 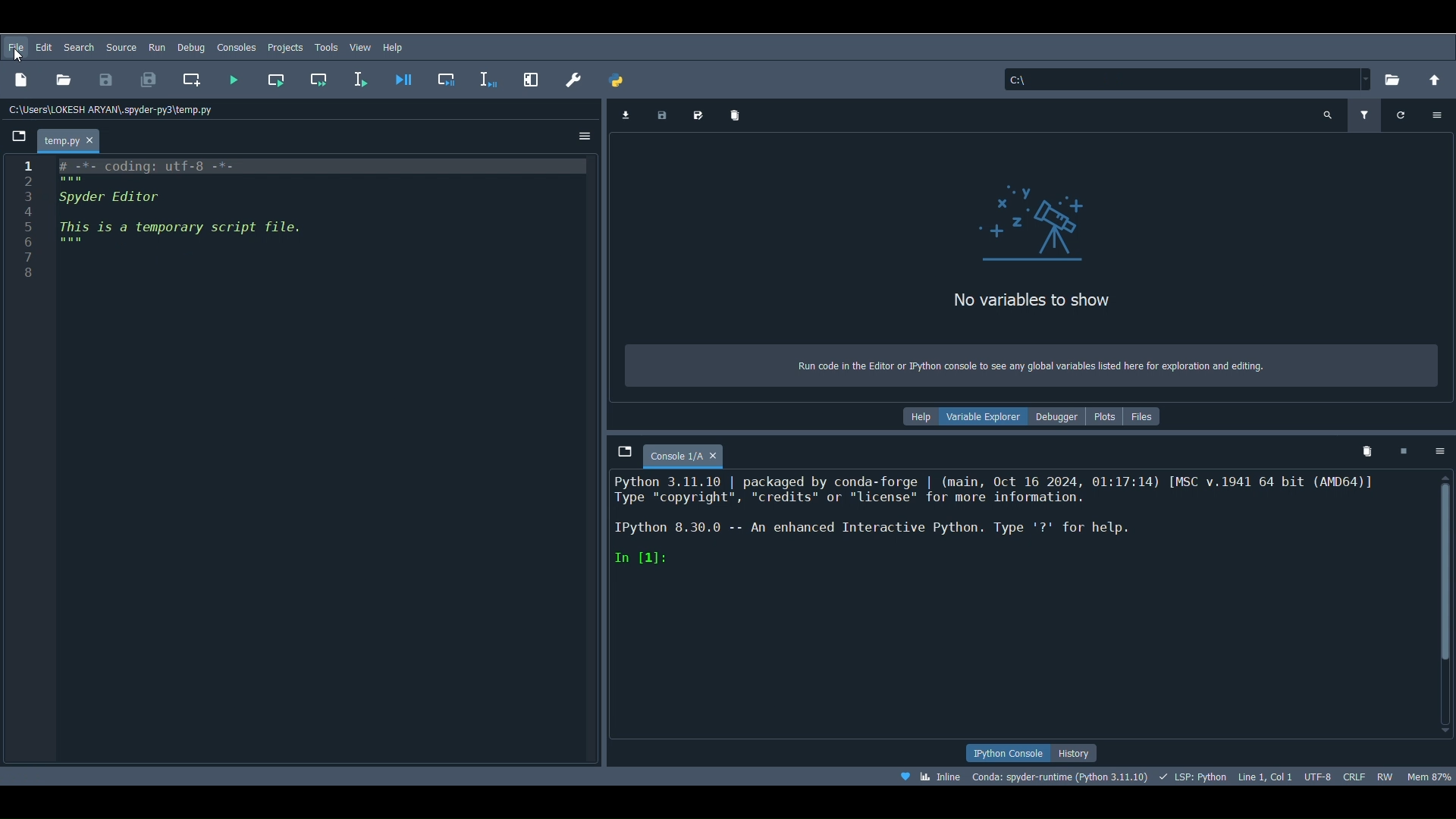 I want to click on Run current cell (Ctrl + Return), so click(x=275, y=80).